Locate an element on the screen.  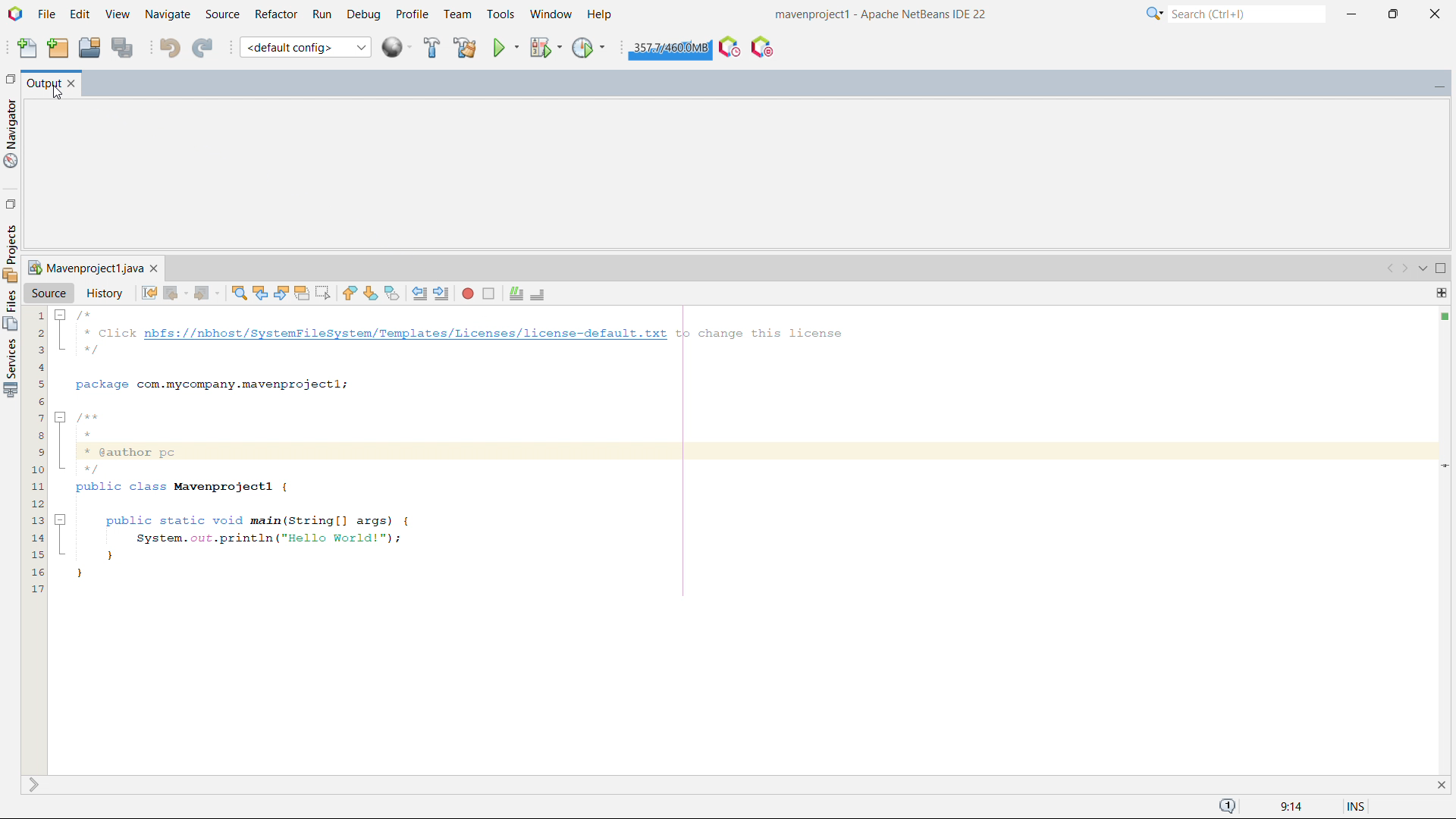
services is located at coordinates (10, 252).